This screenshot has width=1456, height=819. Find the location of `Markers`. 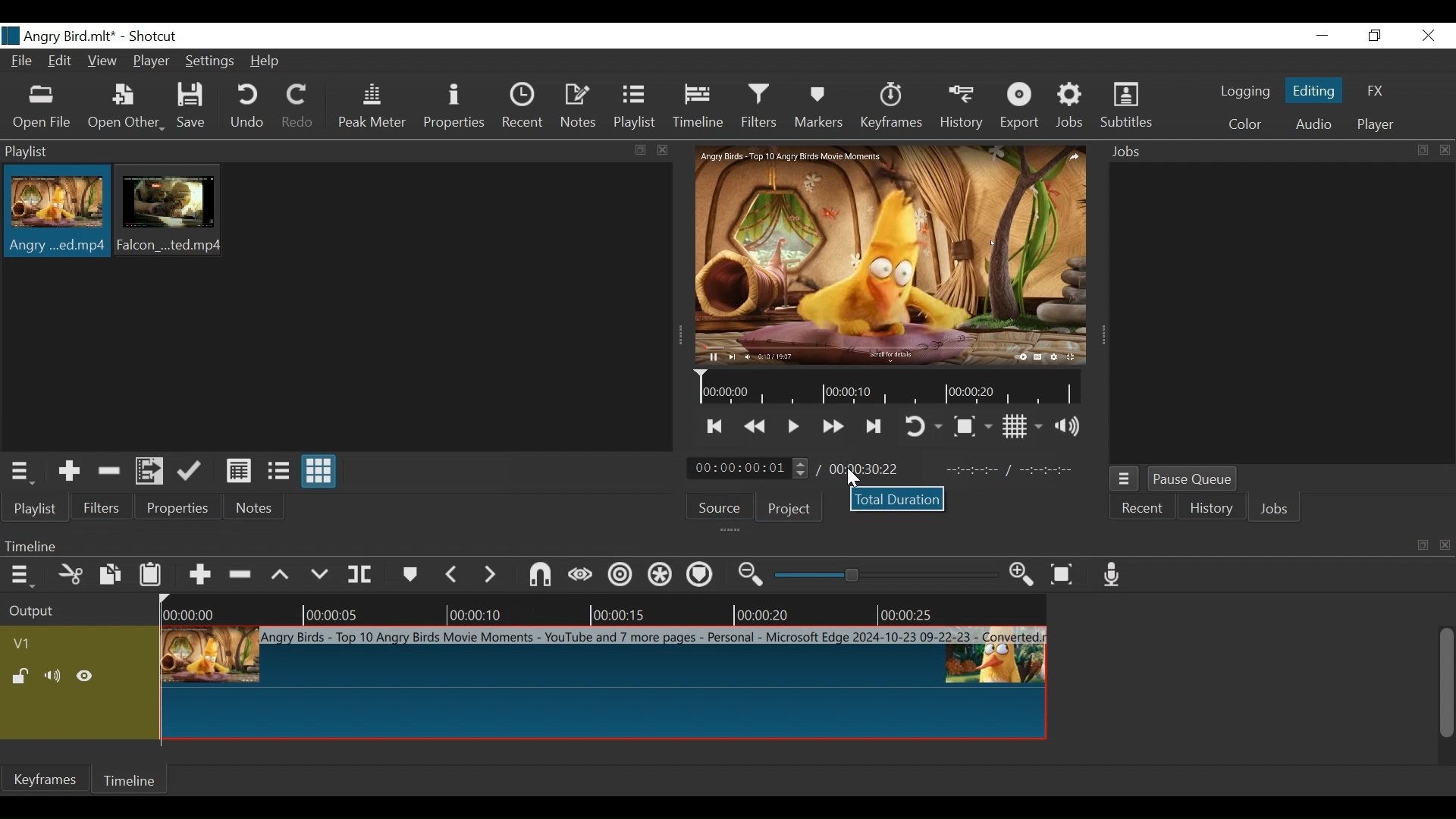

Markers is located at coordinates (818, 106).